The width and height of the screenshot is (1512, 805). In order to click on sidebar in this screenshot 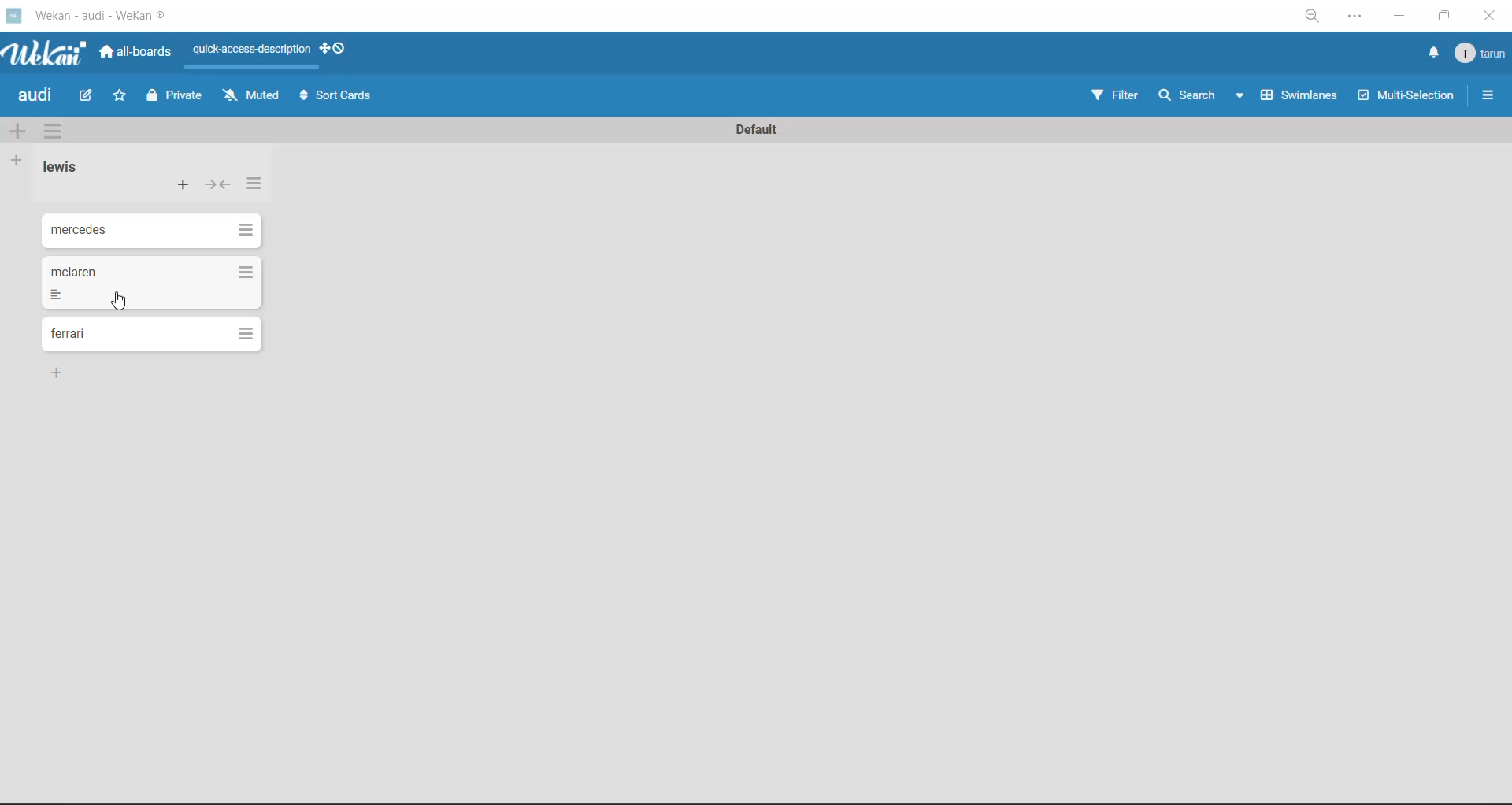, I will do `click(1488, 95)`.